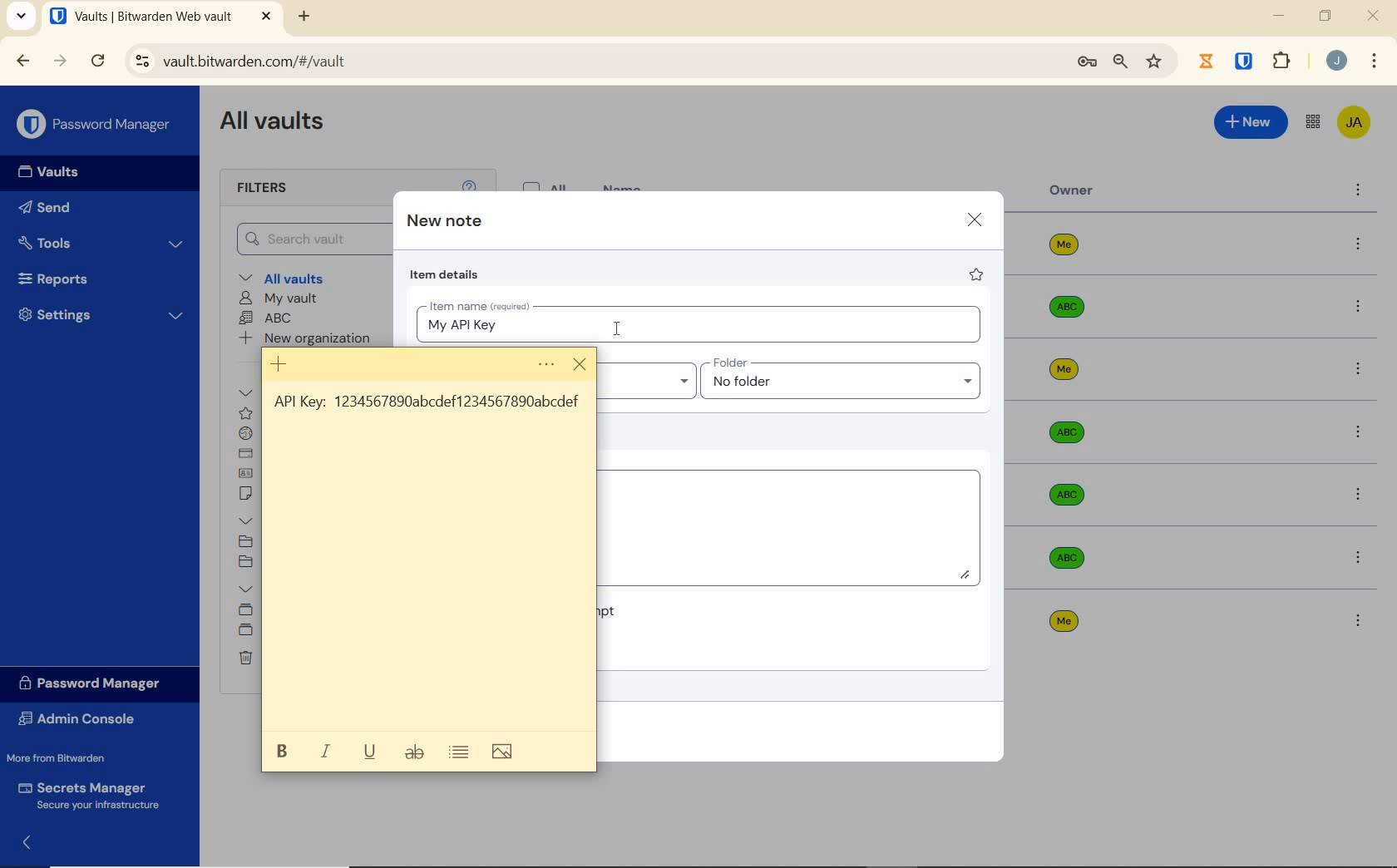  Describe the element at coordinates (1359, 245) in the screenshot. I see `more options` at that location.